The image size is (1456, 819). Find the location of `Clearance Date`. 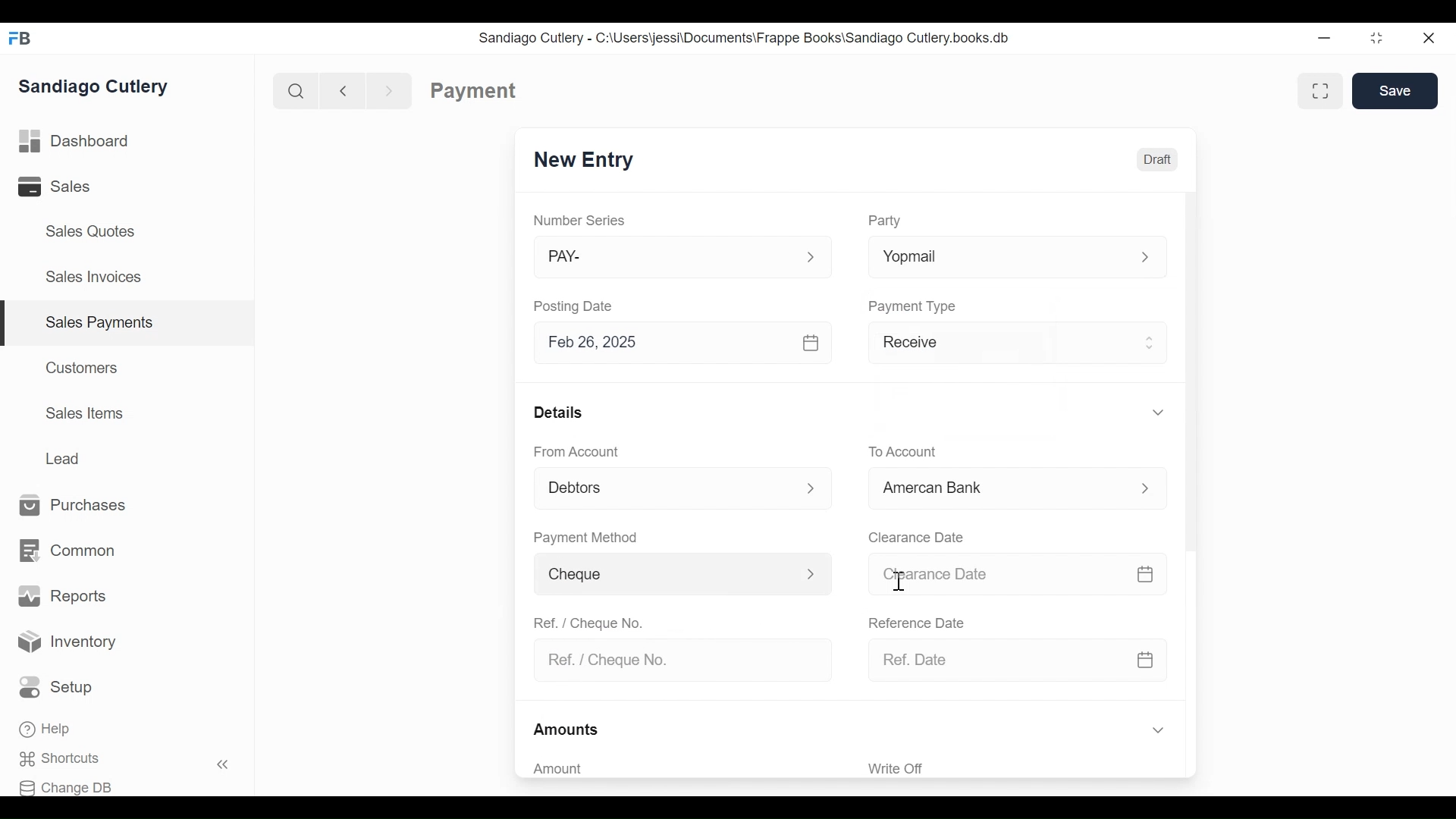

Clearance Date is located at coordinates (996, 575).